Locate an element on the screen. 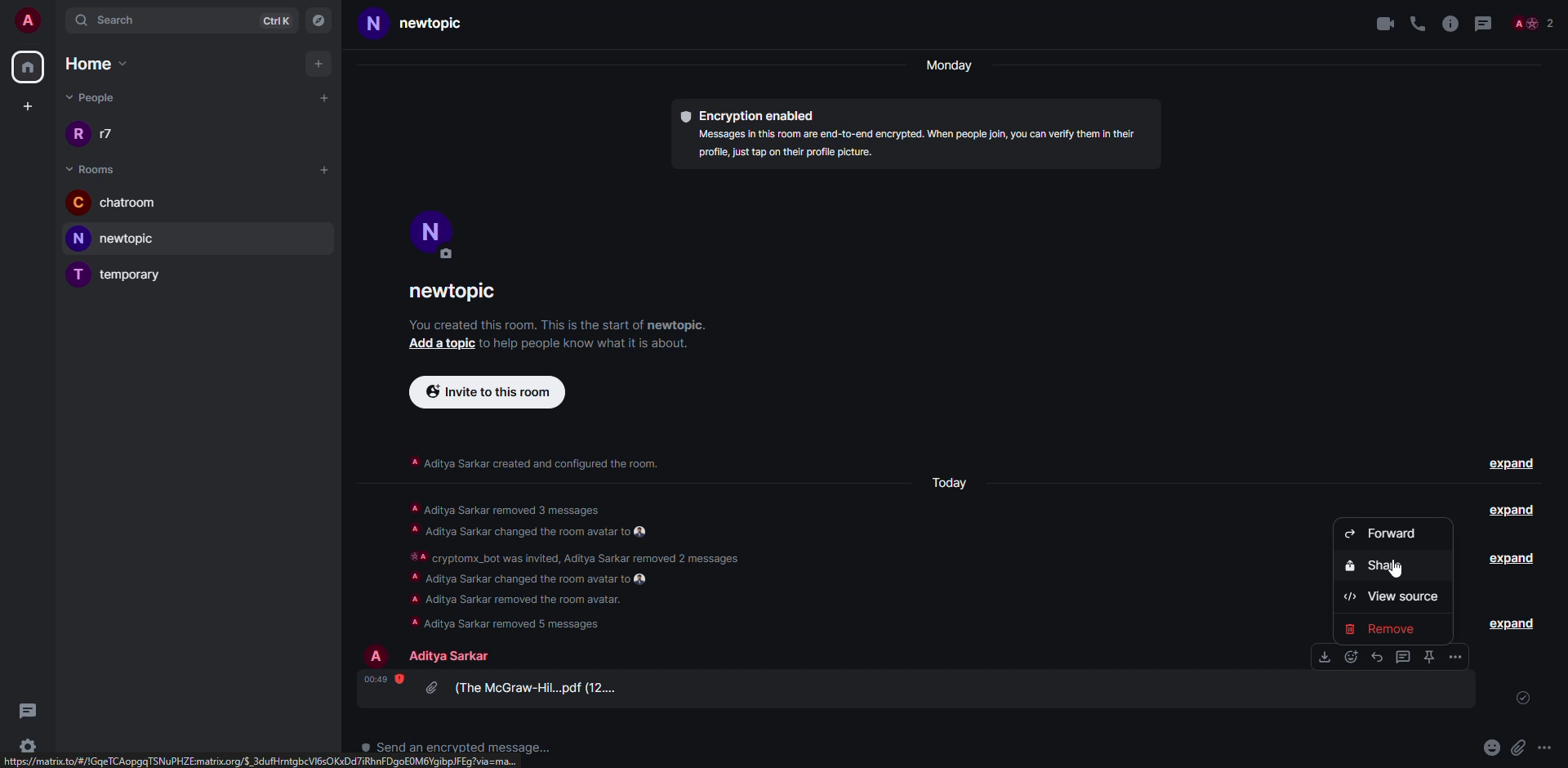 The height and width of the screenshot is (768, 1568). video call is located at coordinates (1383, 23).